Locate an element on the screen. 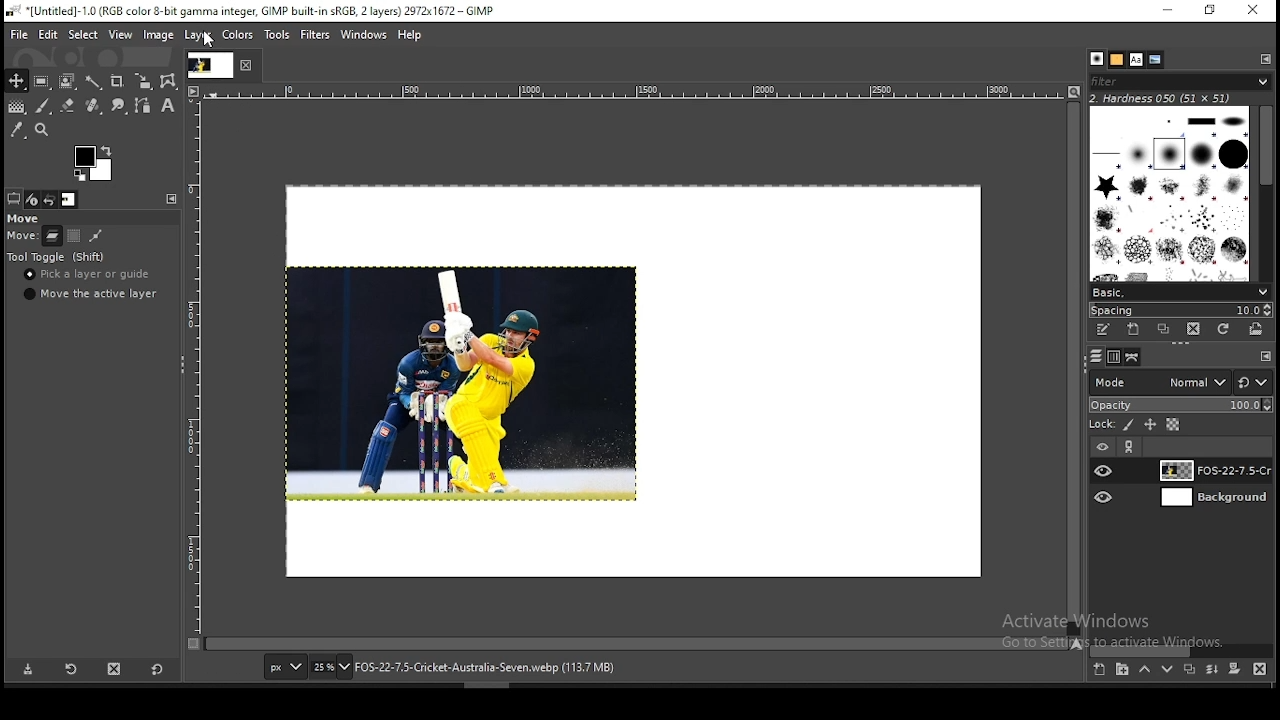 The width and height of the screenshot is (1280, 720). close is located at coordinates (247, 66).